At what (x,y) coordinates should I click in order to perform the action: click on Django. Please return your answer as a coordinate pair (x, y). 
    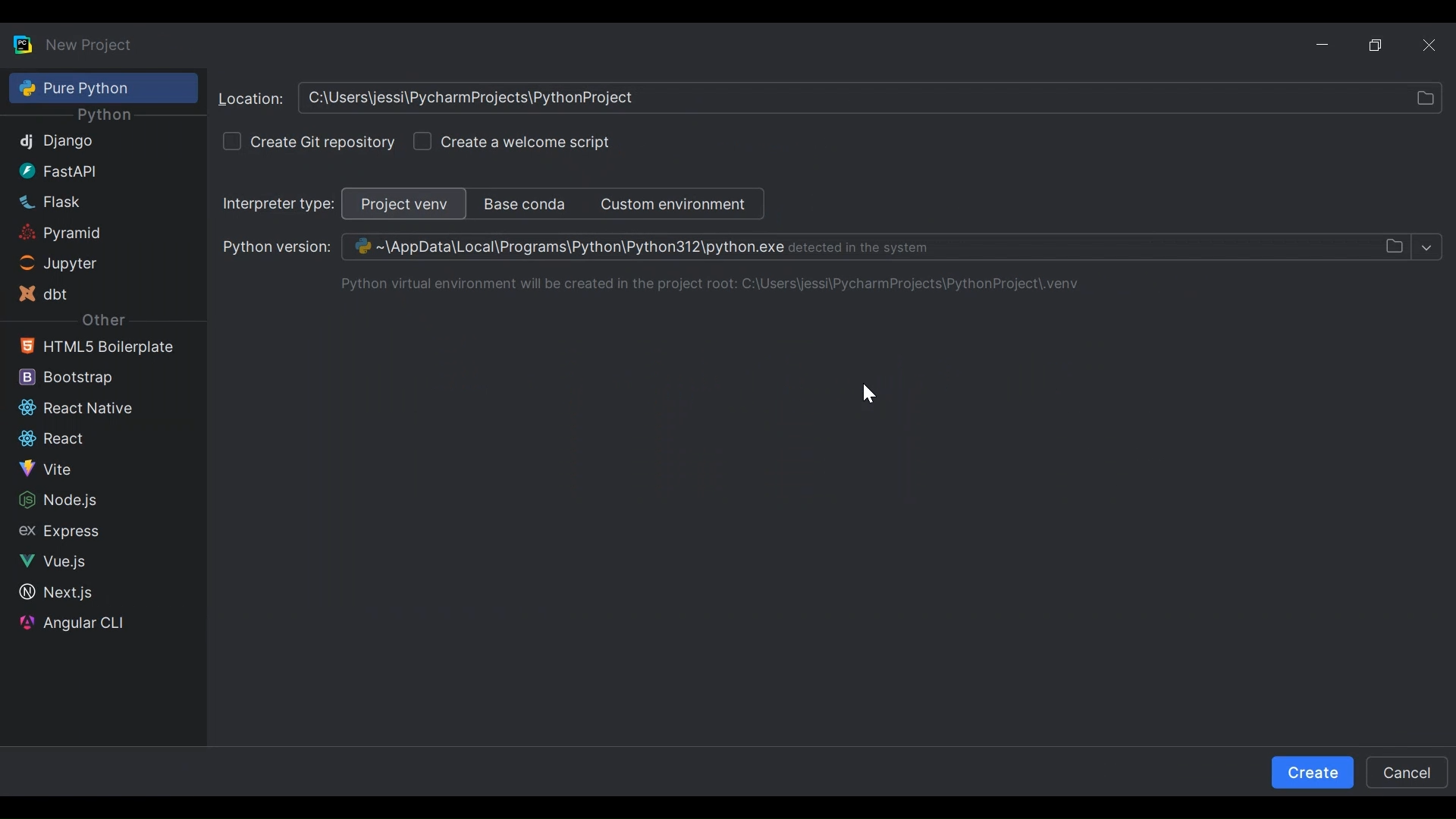
    Looking at the image, I should click on (93, 144).